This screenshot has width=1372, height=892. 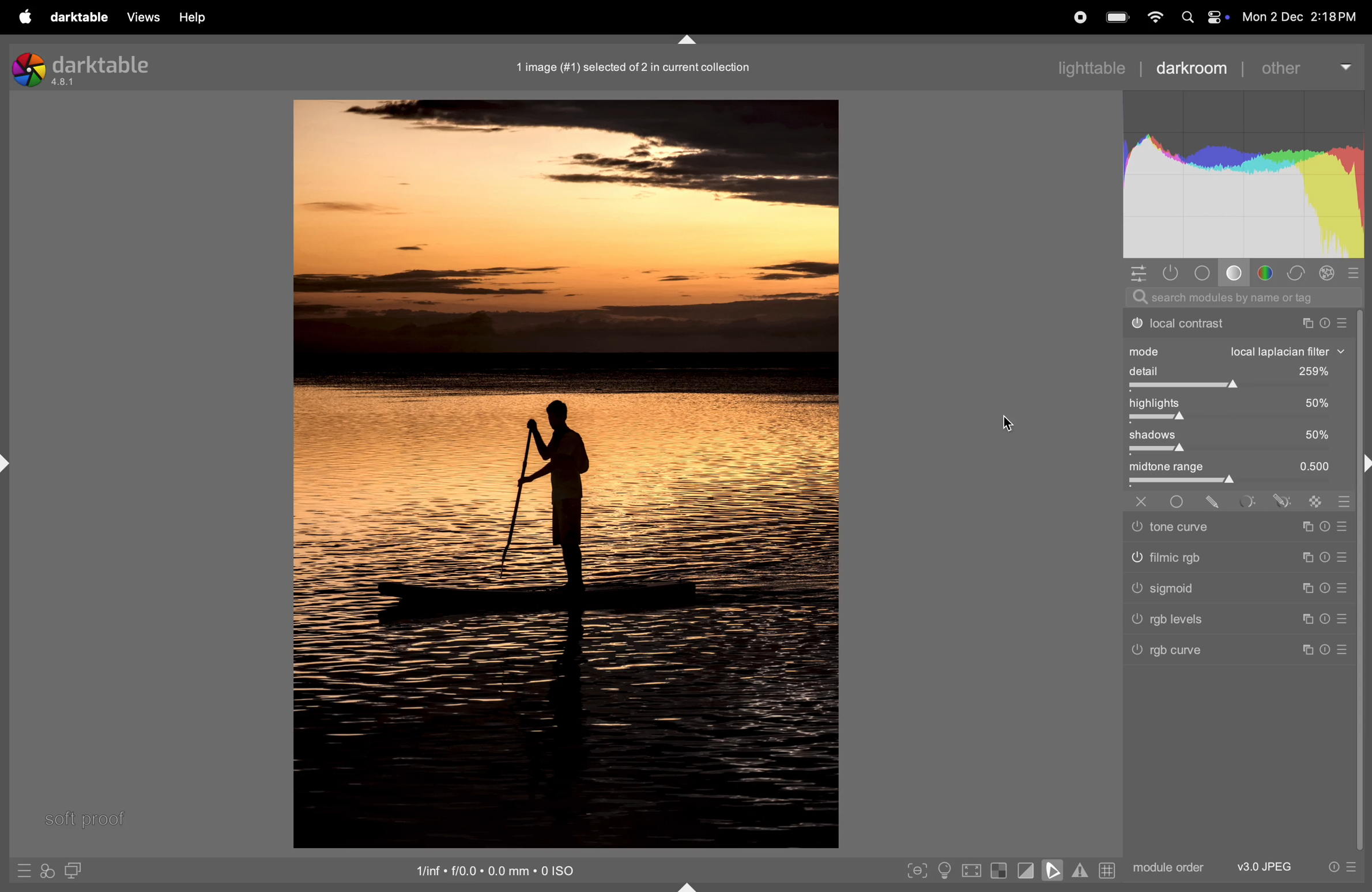 I want to click on module order, so click(x=1166, y=867).